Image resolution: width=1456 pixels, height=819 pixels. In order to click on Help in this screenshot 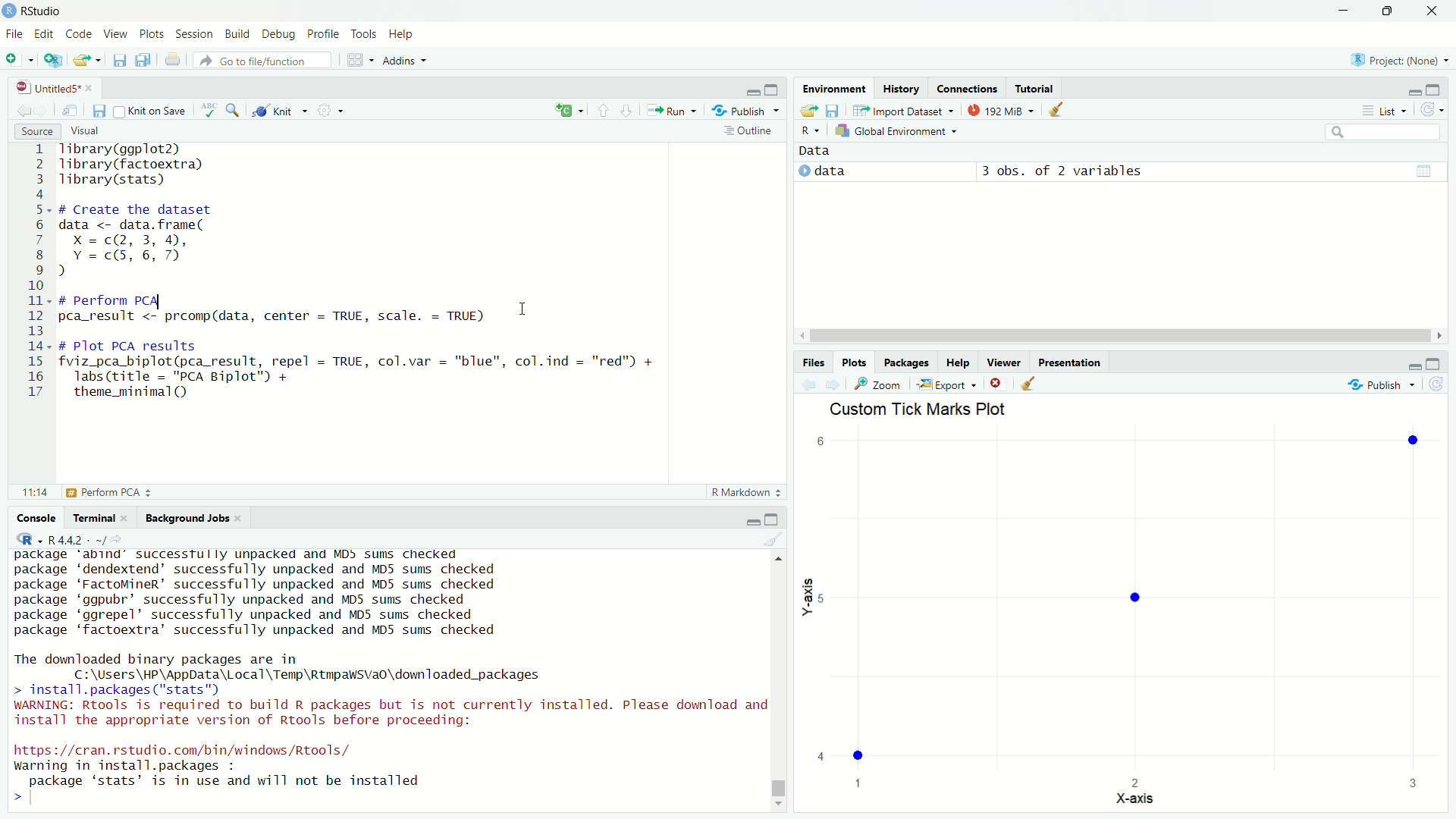, I will do `click(959, 362)`.